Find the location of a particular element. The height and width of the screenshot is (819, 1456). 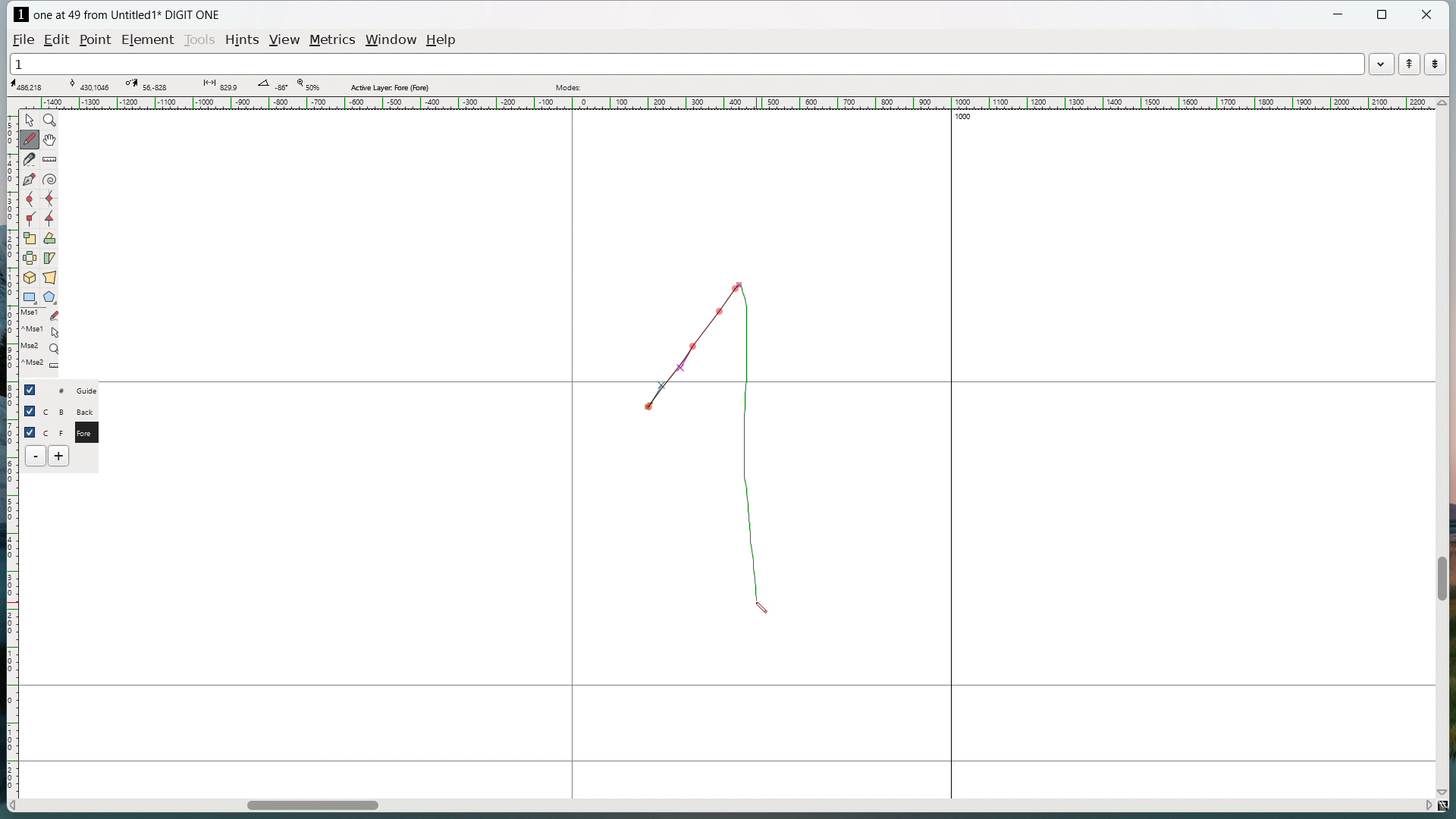

horizontal scrollbar is located at coordinates (312, 808).